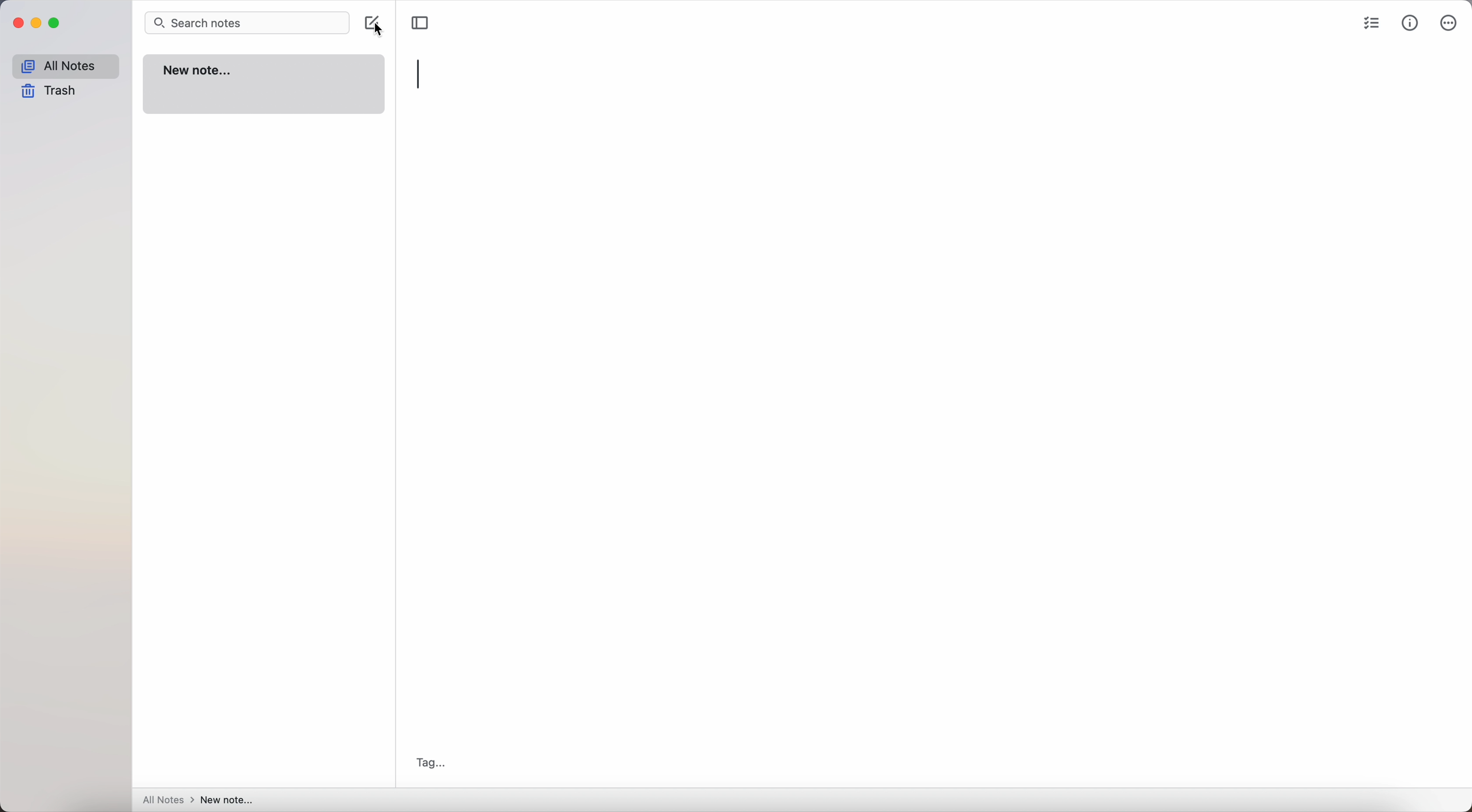 This screenshot has width=1472, height=812. Describe the element at coordinates (419, 23) in the screenshot. I see `toggle sidebar` at that location.